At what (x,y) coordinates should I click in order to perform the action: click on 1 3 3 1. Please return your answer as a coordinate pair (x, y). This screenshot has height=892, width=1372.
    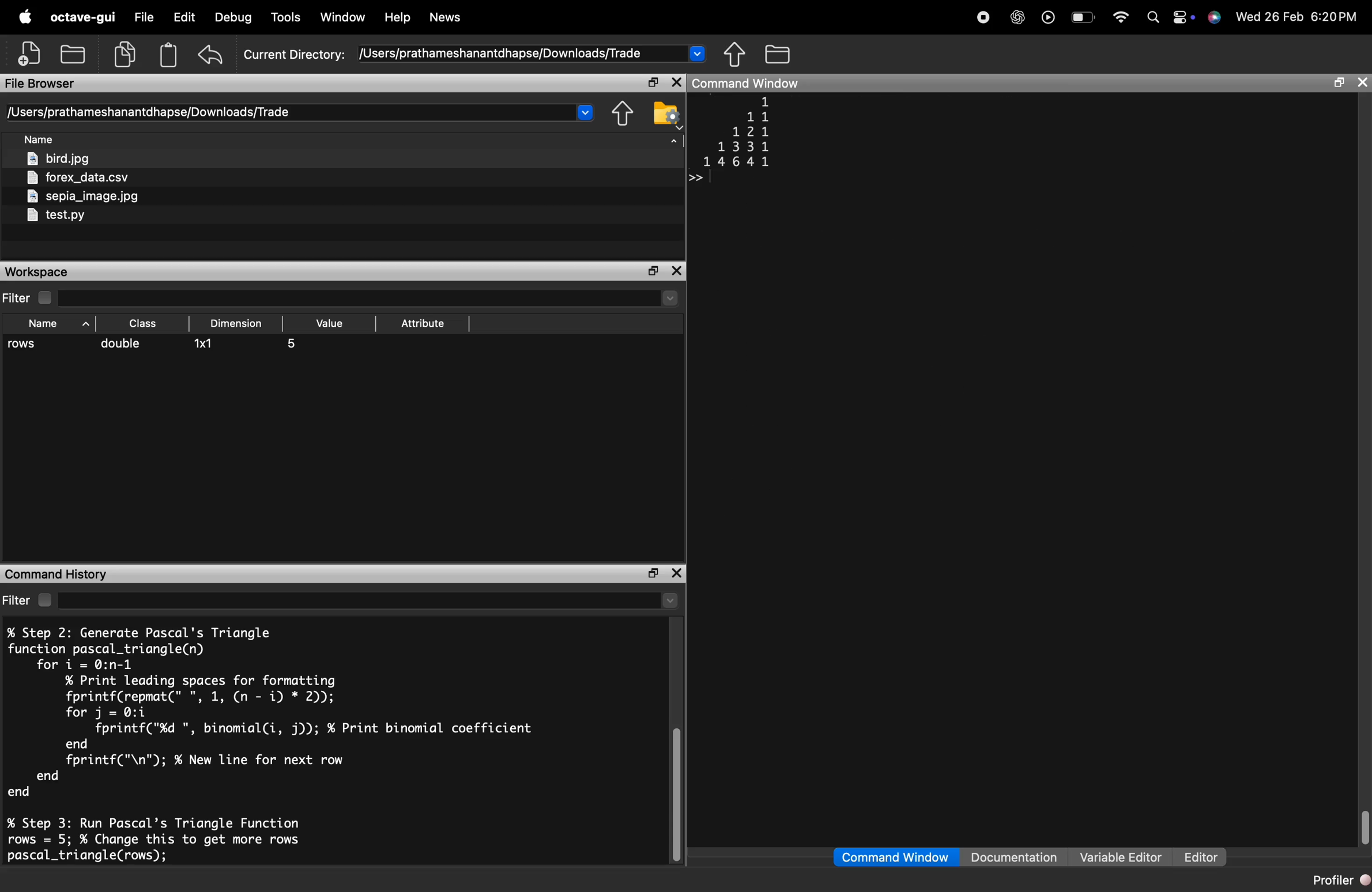
    Looking at the image, I should click on (742, 146).